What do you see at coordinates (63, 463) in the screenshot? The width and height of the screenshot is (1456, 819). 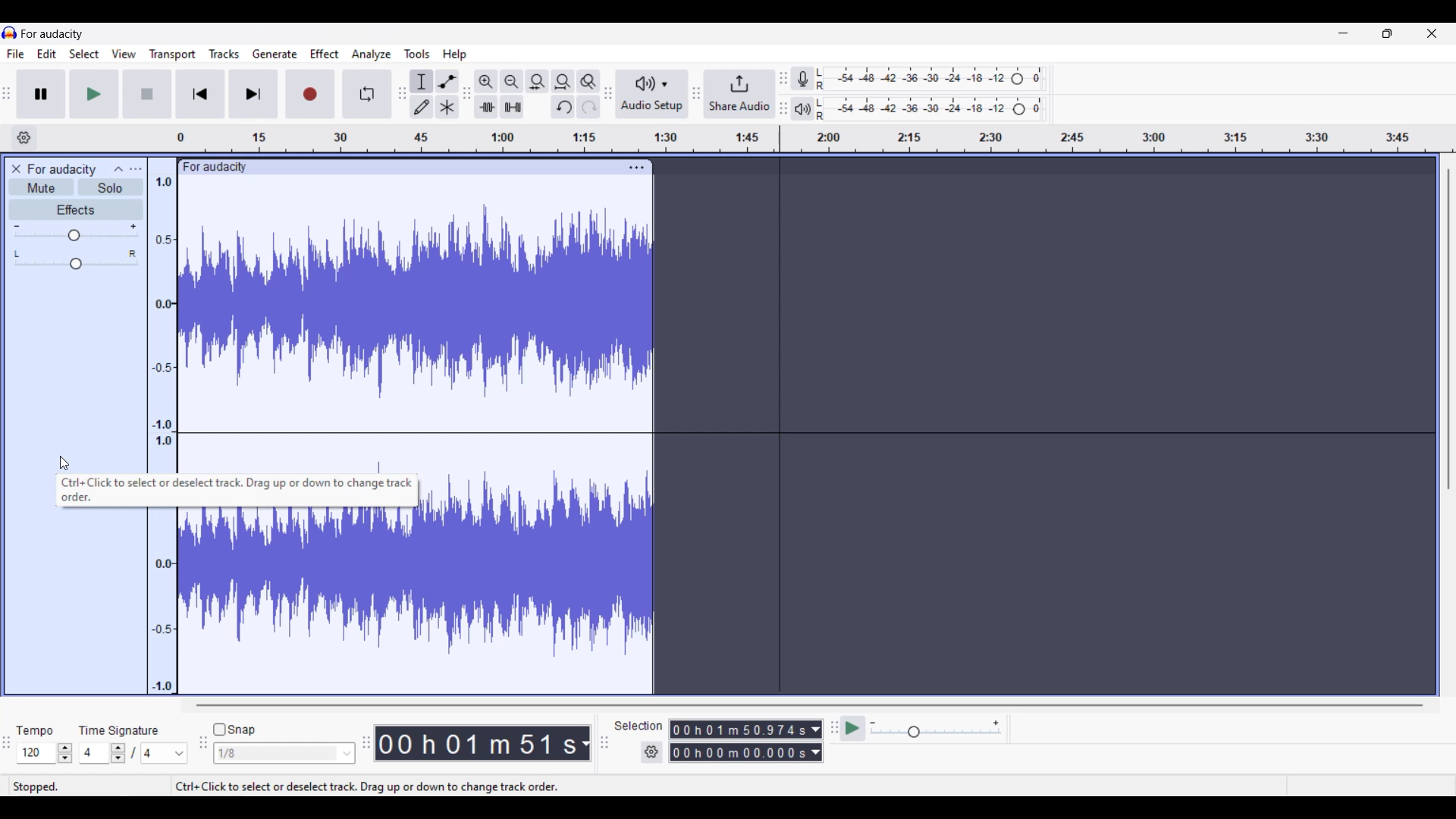 I see `Cursor` at bounding box center [63, 463].